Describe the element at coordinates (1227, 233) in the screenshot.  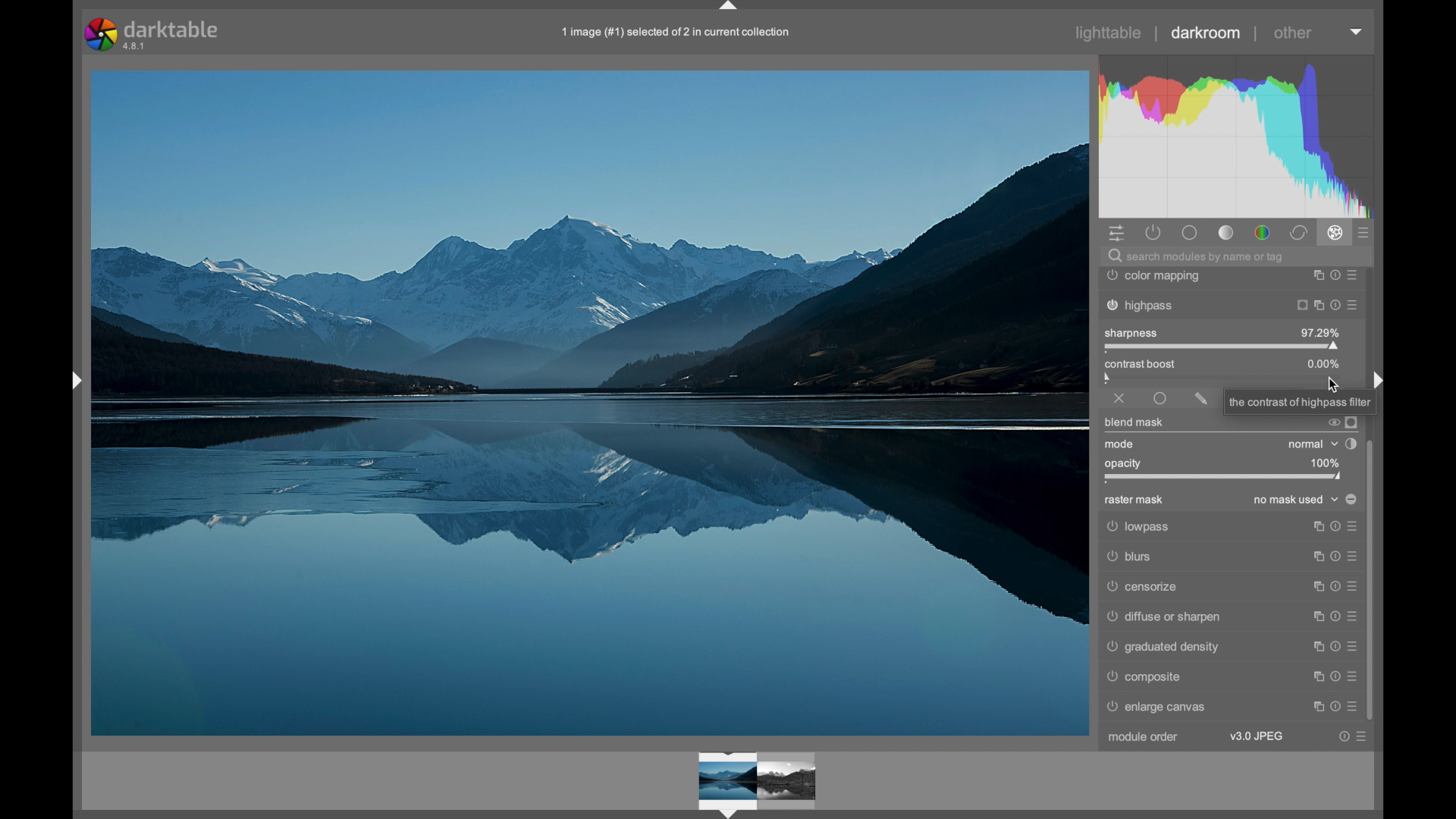
I see `tone` at that location.